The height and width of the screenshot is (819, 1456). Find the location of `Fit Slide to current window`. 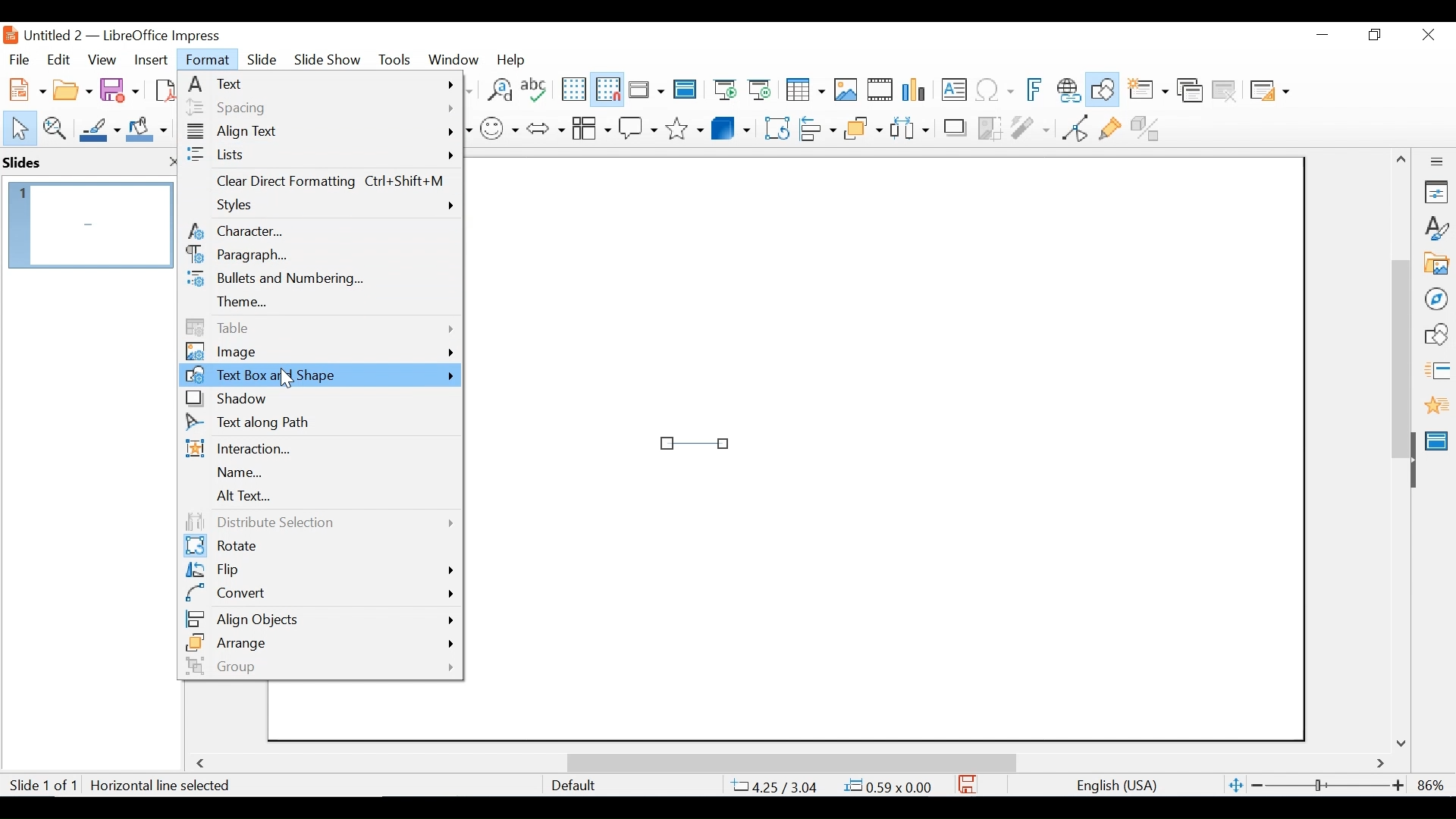

Fit Slide to current window is located at coordinates (1236, 786).